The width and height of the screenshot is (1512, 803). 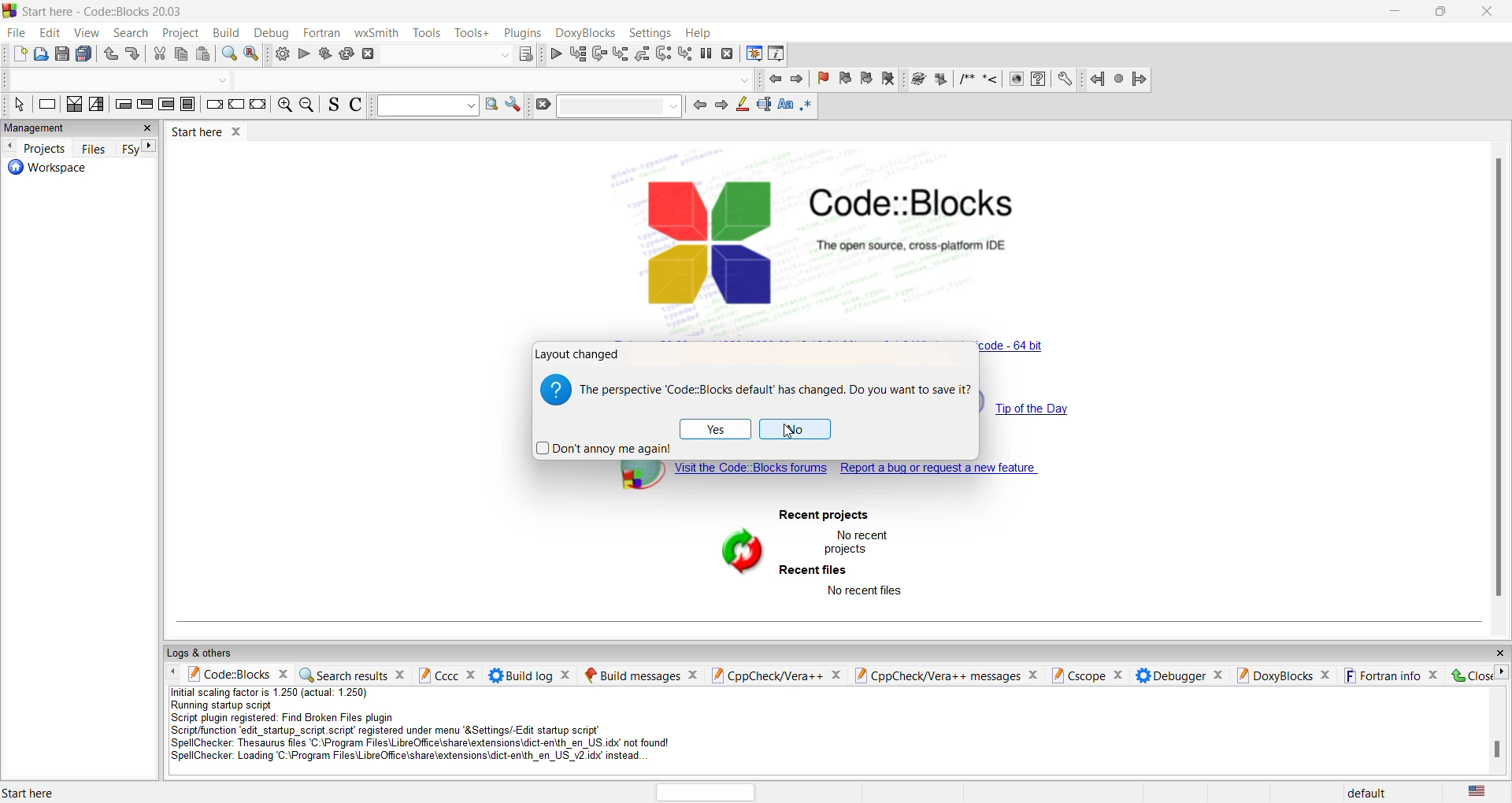 I want to click on search result pane, so click(x=354, y=673).